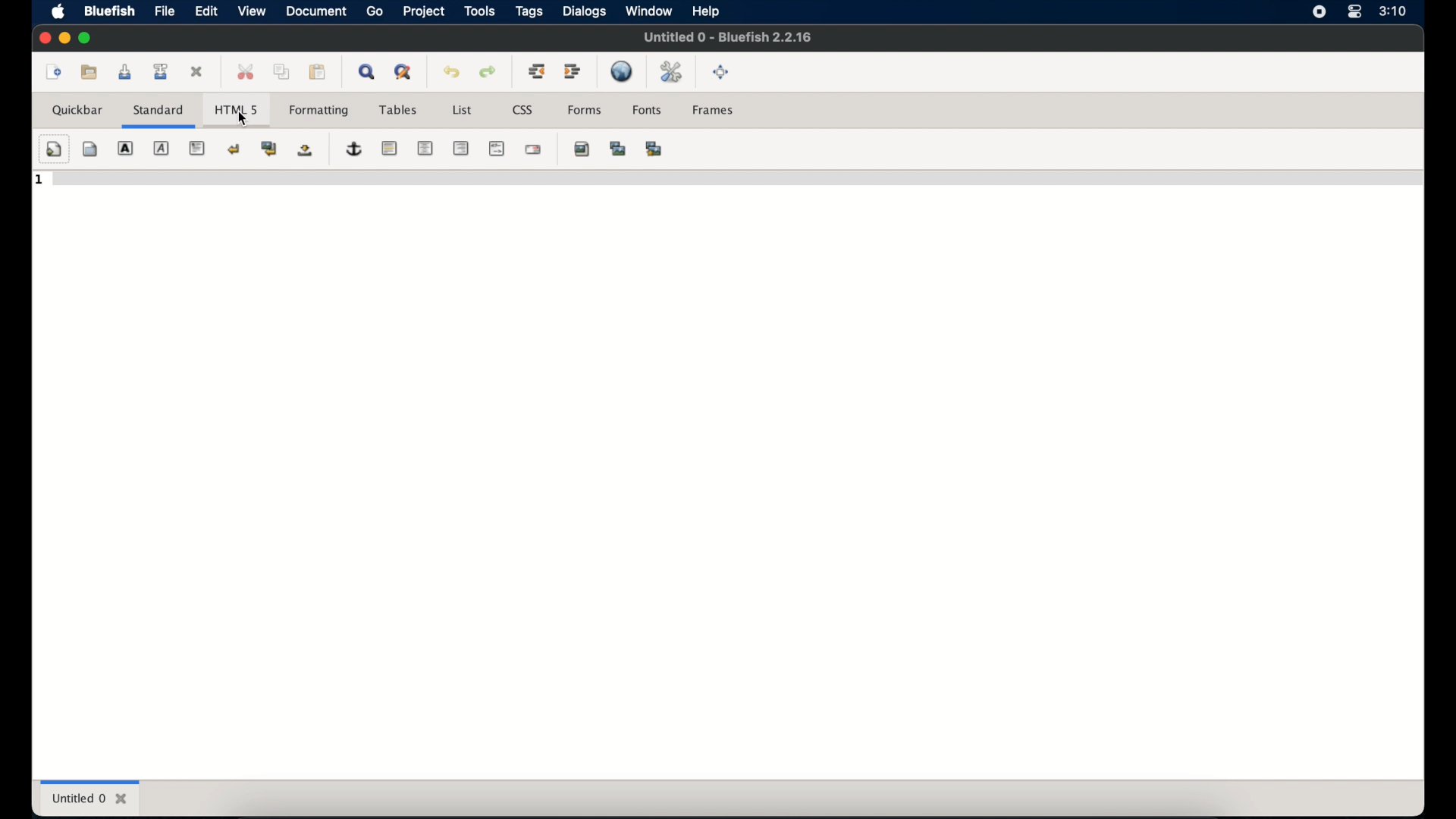  What do you see at coordinates (315, 12) in the screenshot?
I see `document` at bounding box center [315, 12].